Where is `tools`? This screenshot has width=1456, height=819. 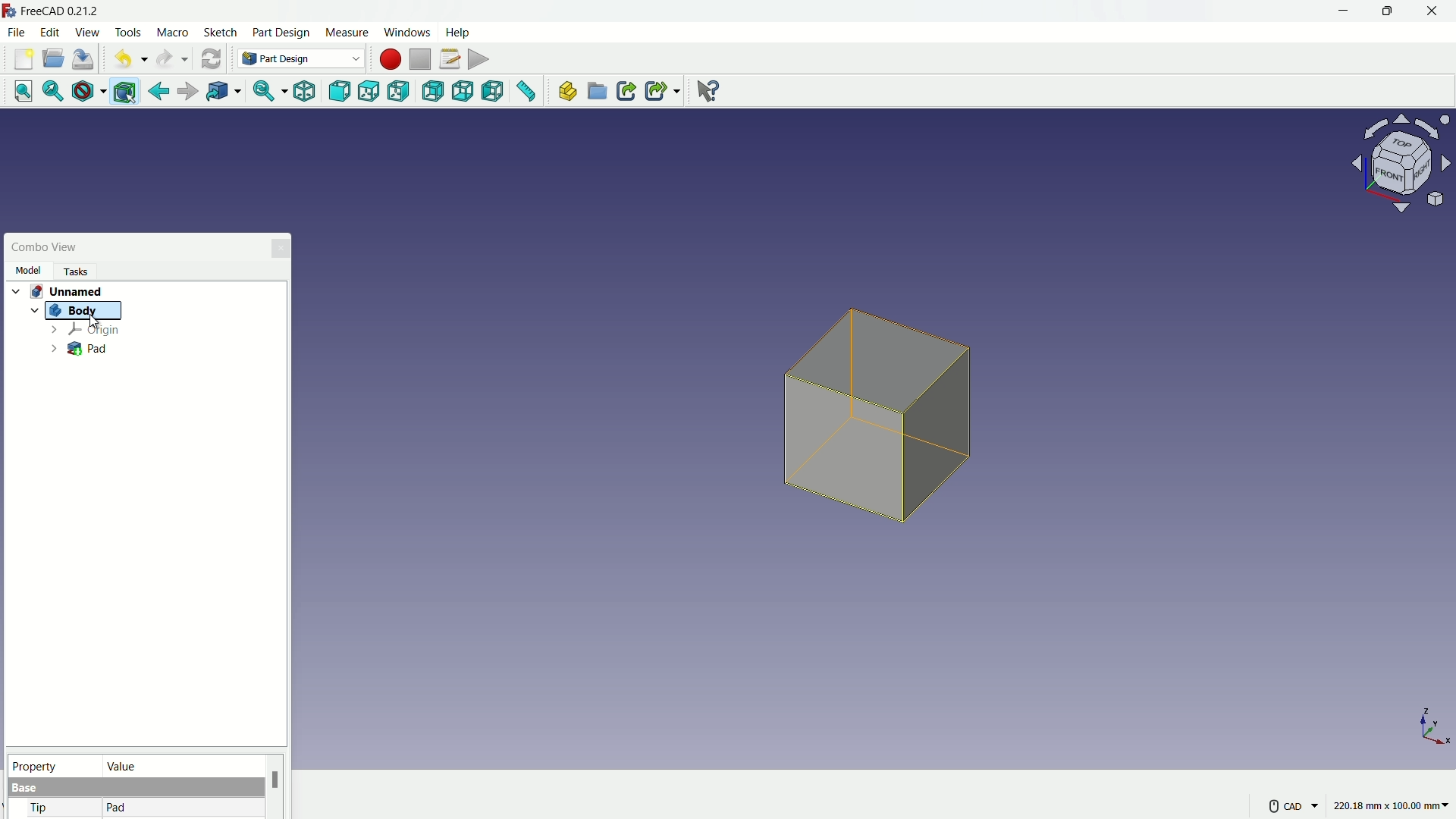
tools is located at coordinates (130, 33).